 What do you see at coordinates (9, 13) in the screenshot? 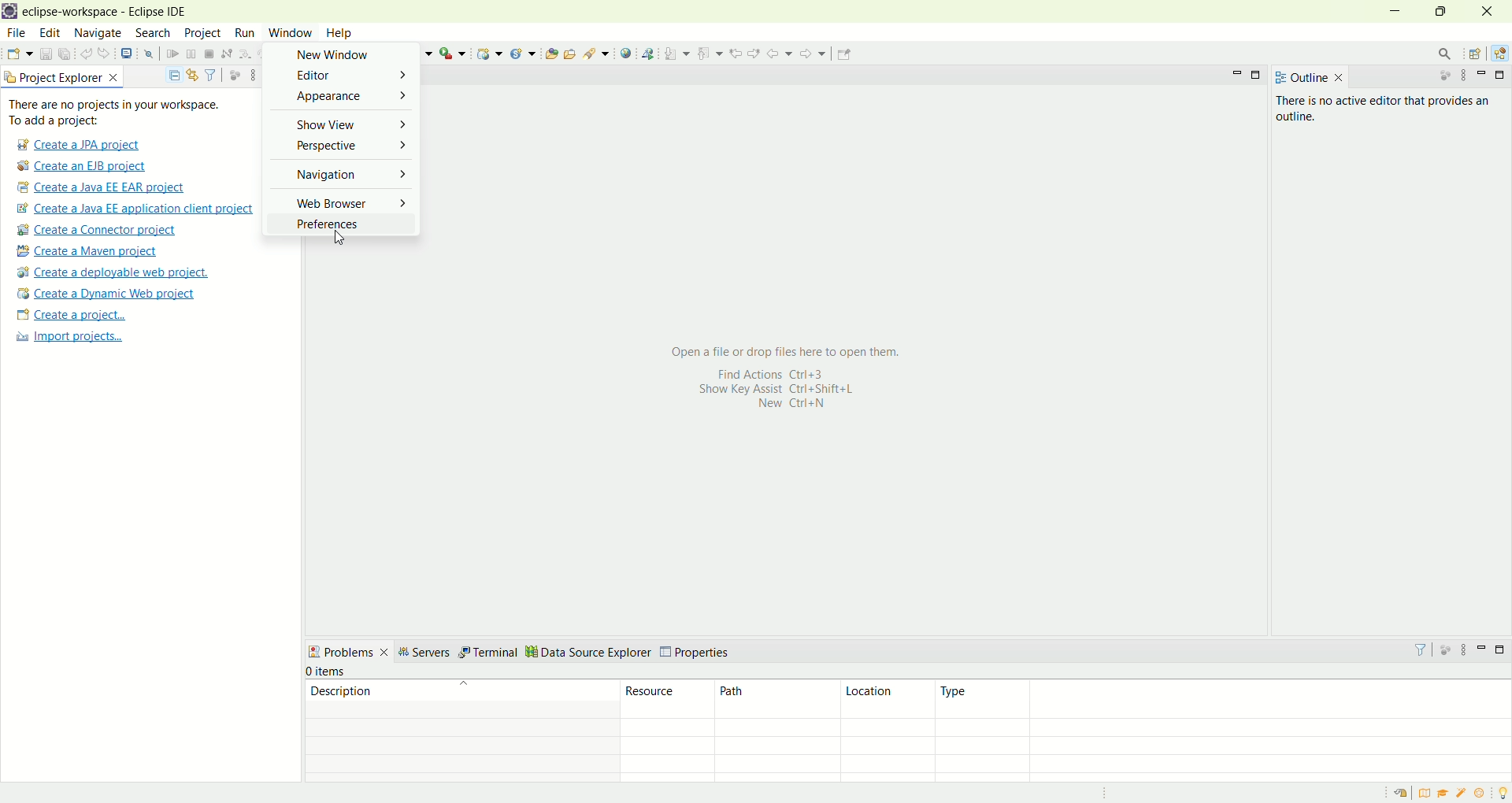
I see `logo` at bounding box center [9, 13].